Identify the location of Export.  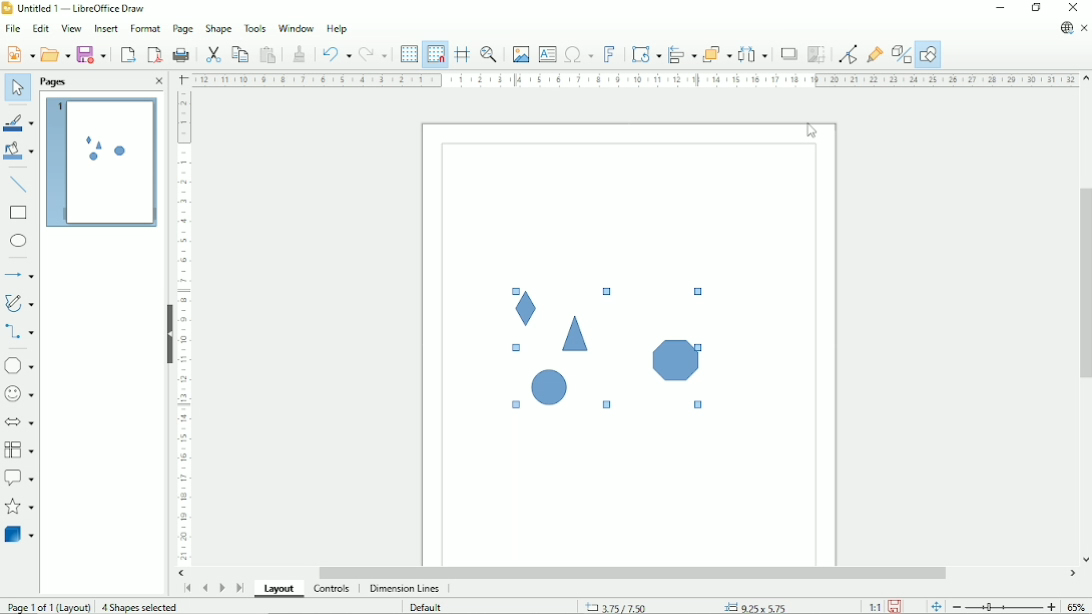
(128, 54).